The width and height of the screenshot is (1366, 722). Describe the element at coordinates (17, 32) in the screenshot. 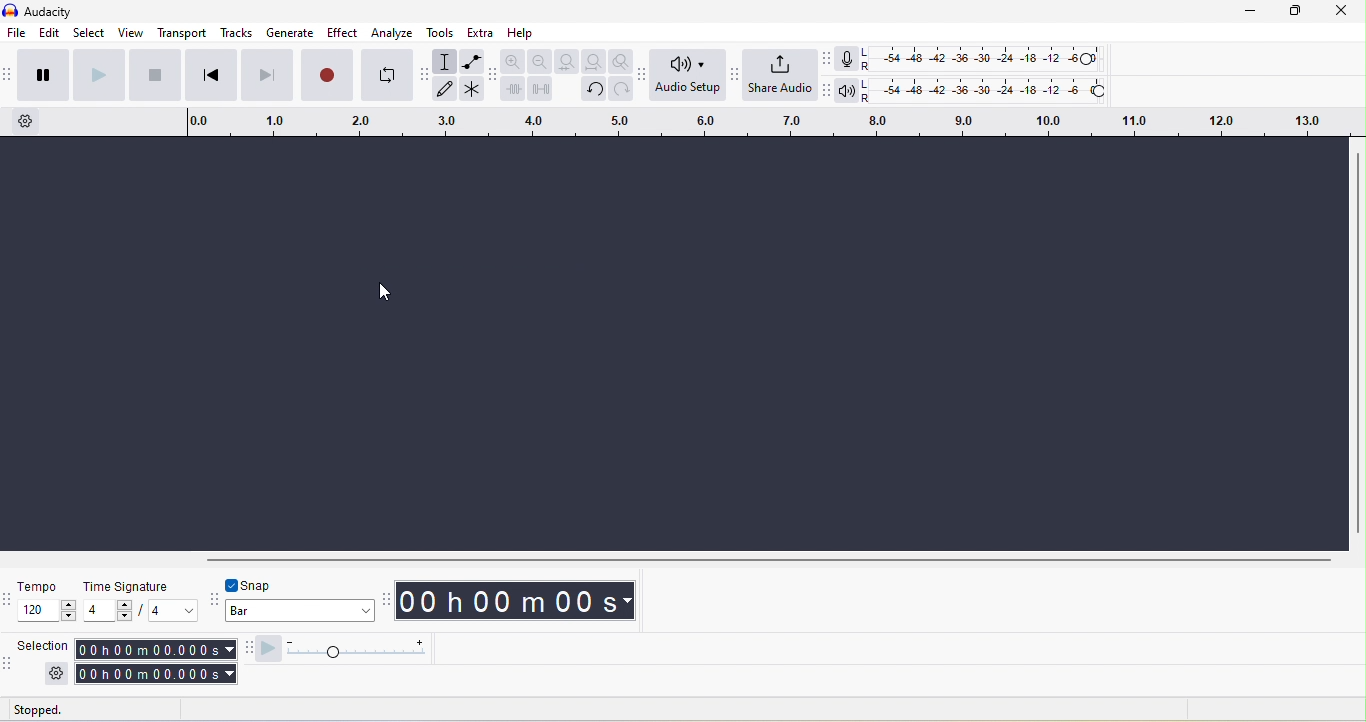

I see `file` at that location.